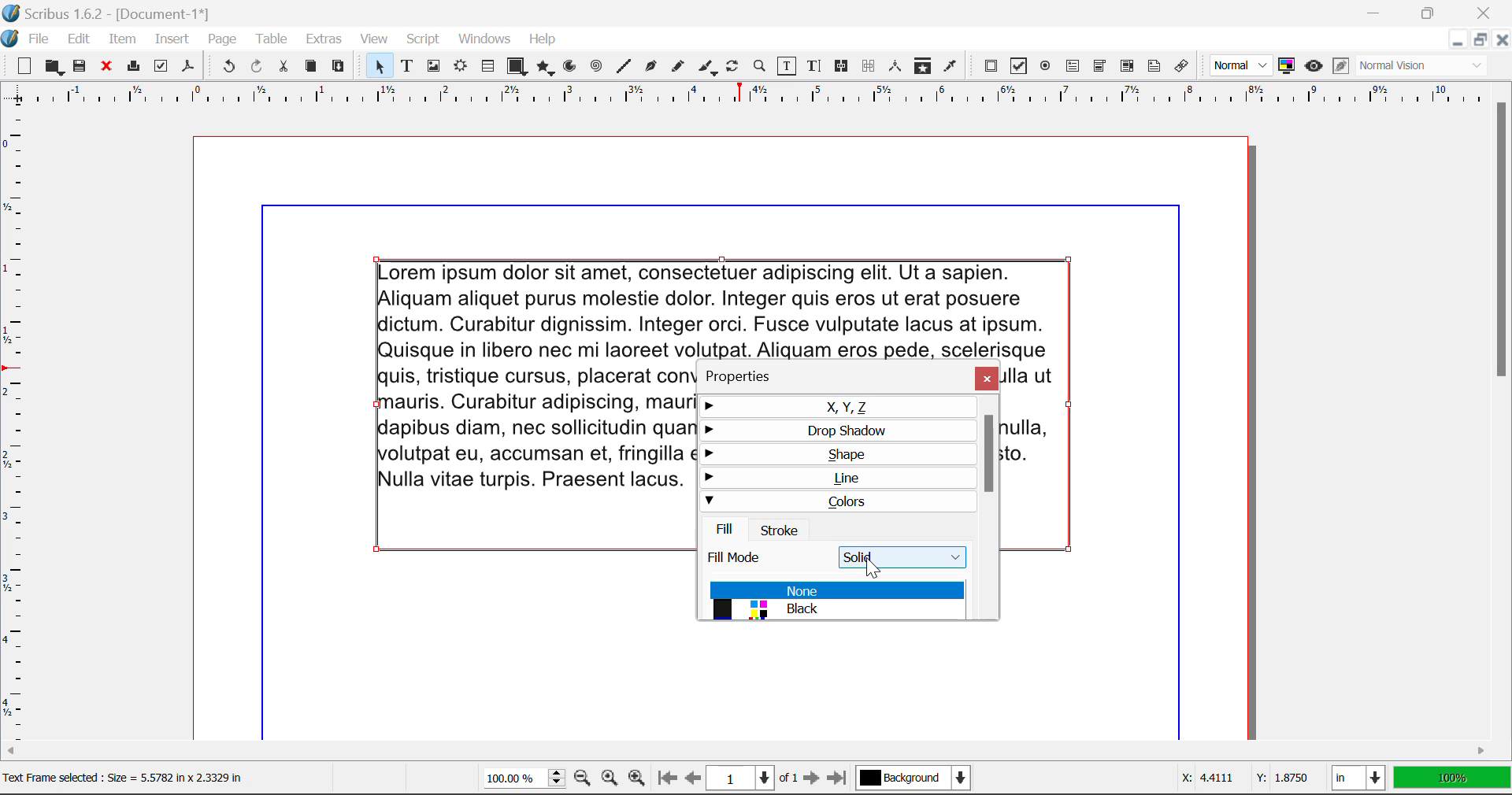  Describe the element at coordinates (1241, 778) in the screenshot. I see `Cursor Coordinates` at that location.